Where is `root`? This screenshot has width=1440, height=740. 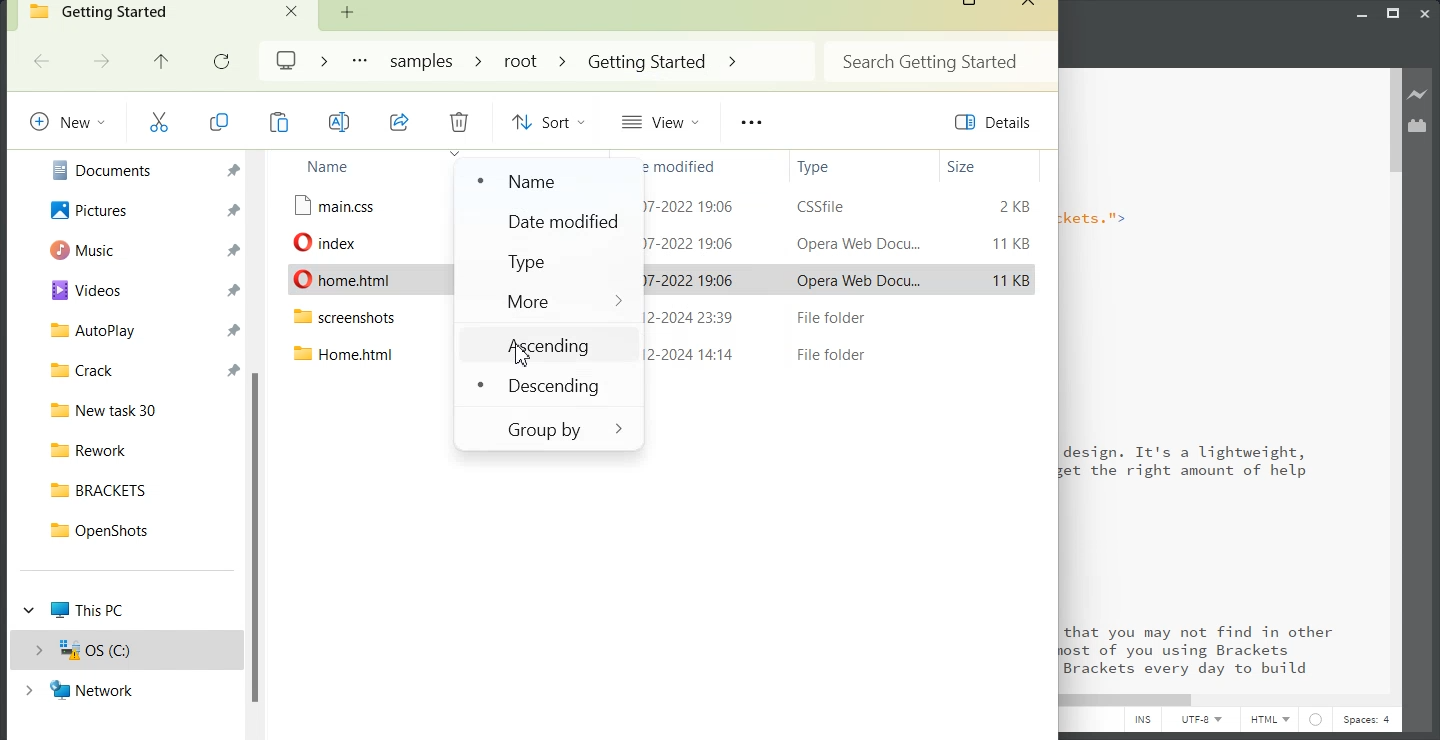
root is located at coordinates (519, 60).